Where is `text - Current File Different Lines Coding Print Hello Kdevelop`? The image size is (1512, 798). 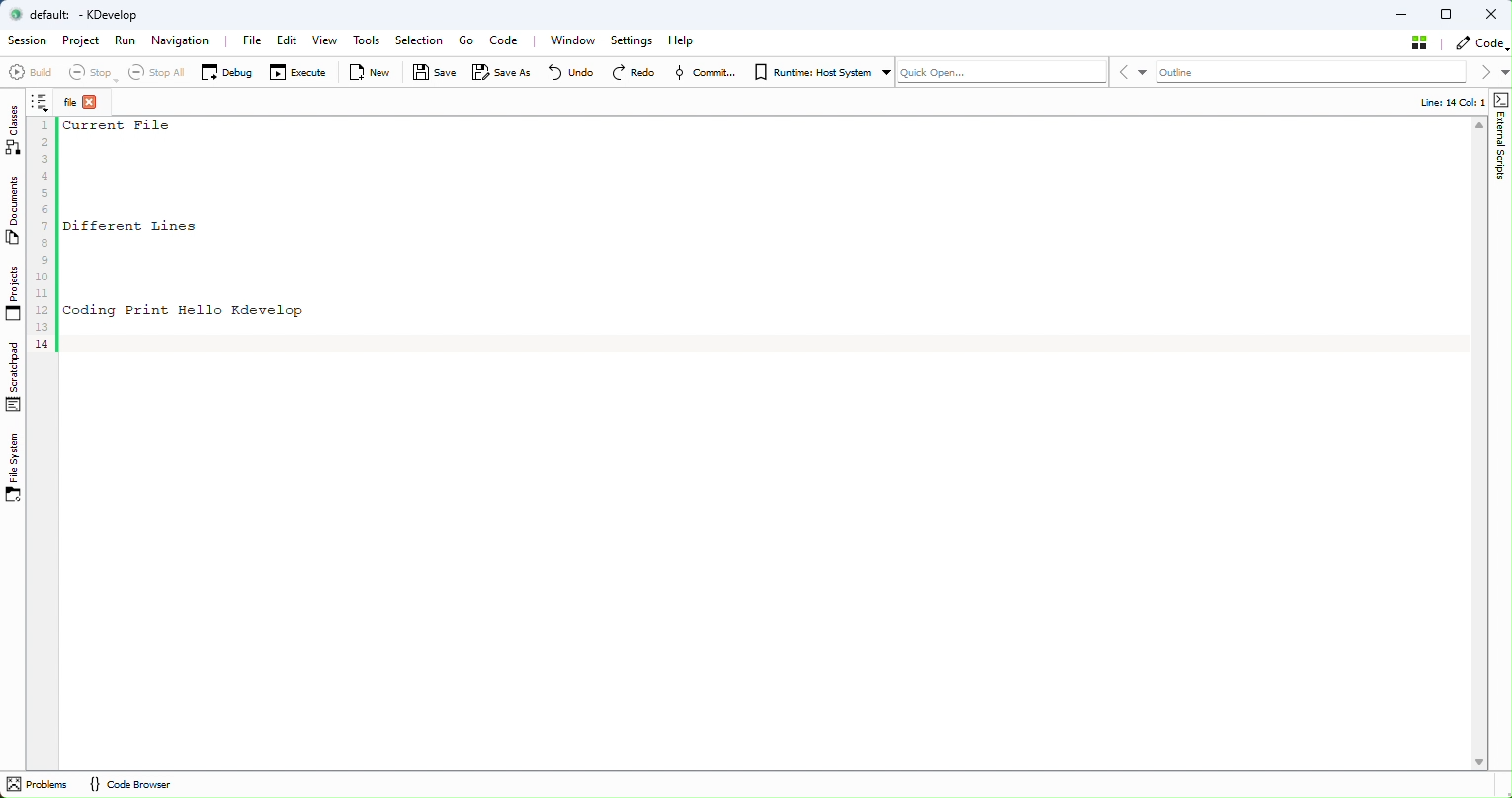 text - Current File Different Lines Coding Print Hello Kdevelop is located at coordinates (189, 220).